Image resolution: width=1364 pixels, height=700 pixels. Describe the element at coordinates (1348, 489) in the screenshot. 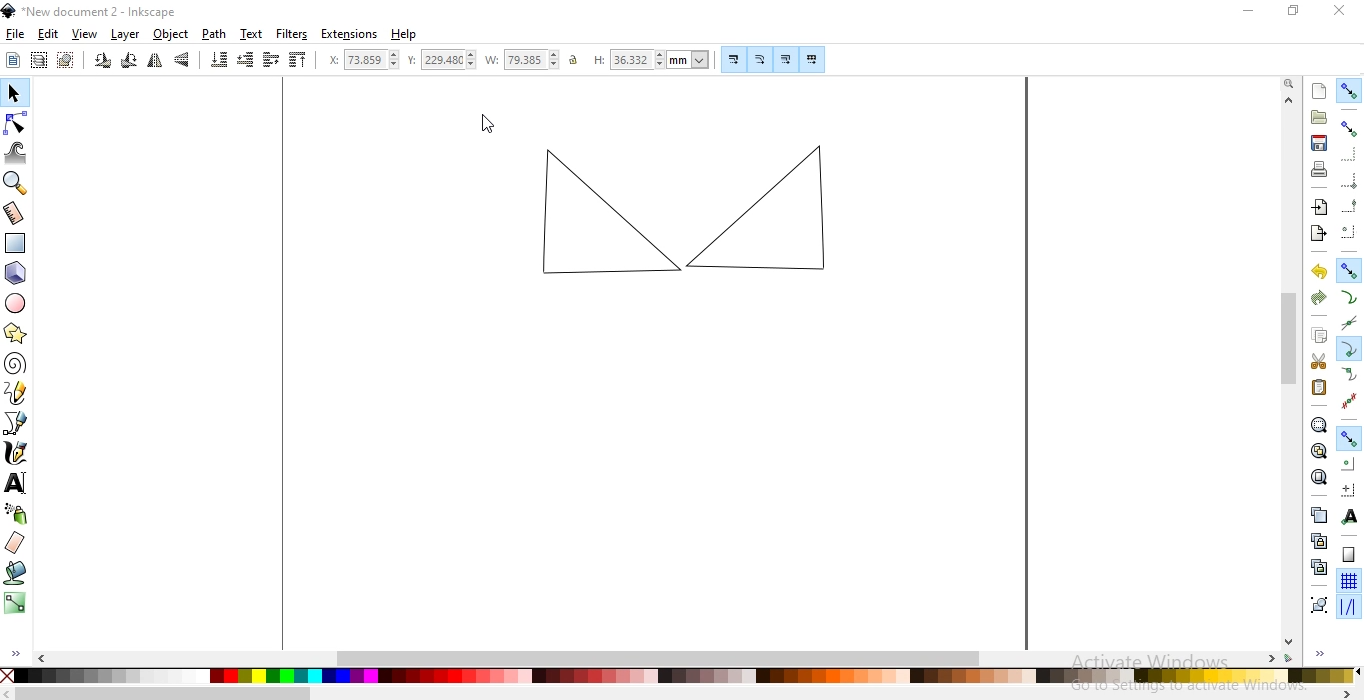

I see `snap an items rotation center` at that location.